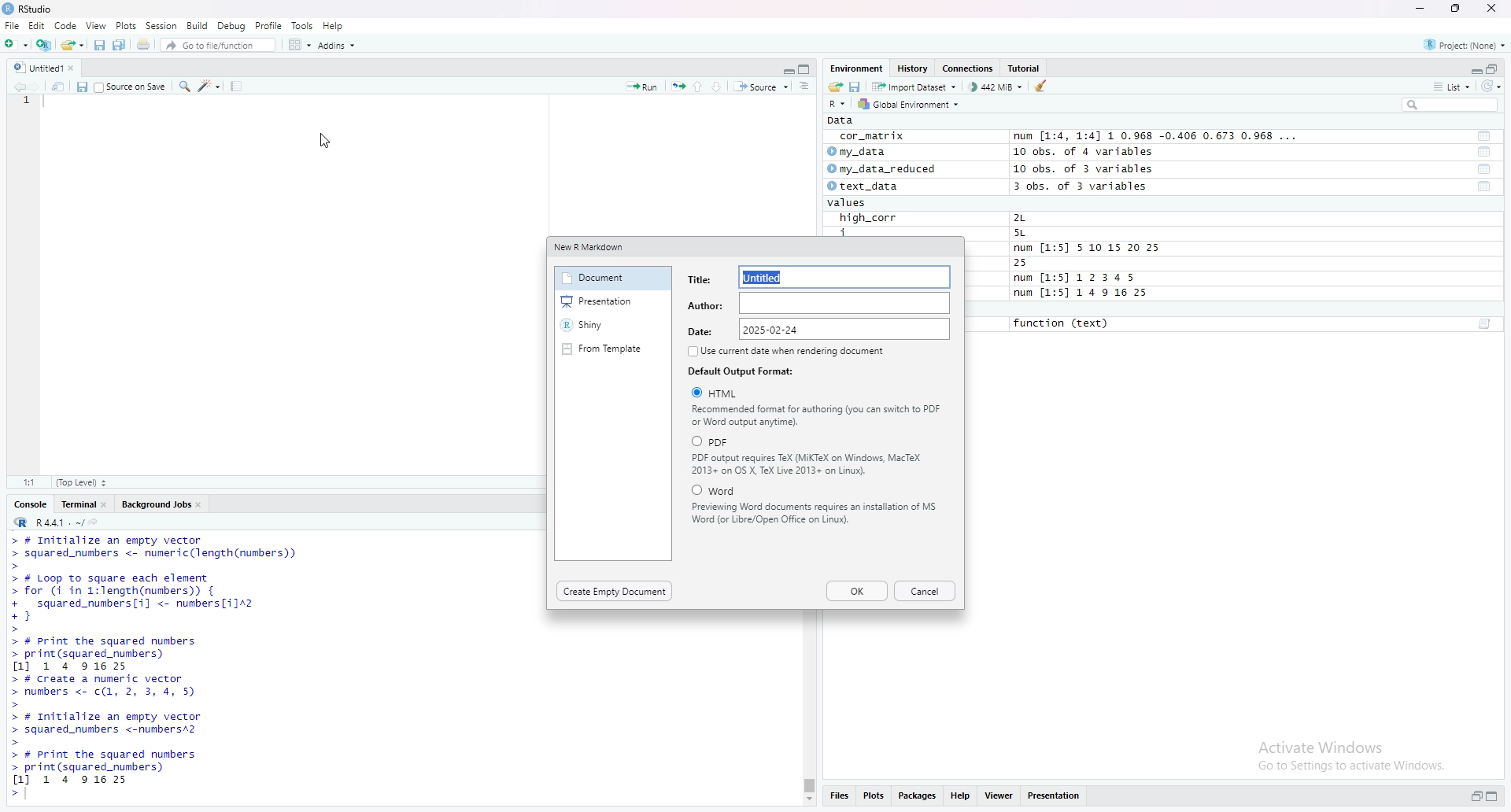  I want to click on Create Empty Document, so click(615, 591).